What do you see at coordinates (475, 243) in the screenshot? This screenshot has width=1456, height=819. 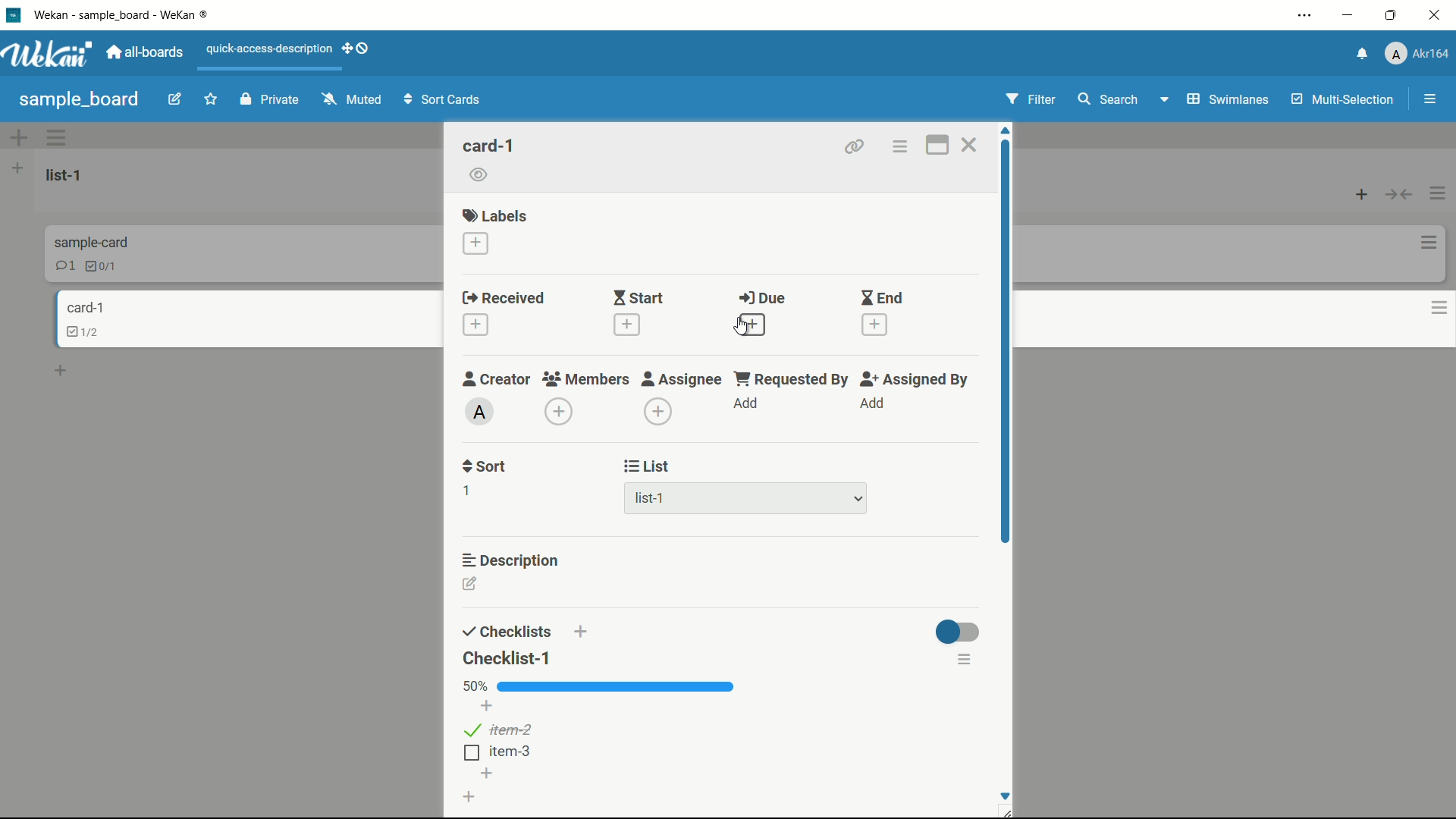 I see `add label` at bounding box center [475, 243].